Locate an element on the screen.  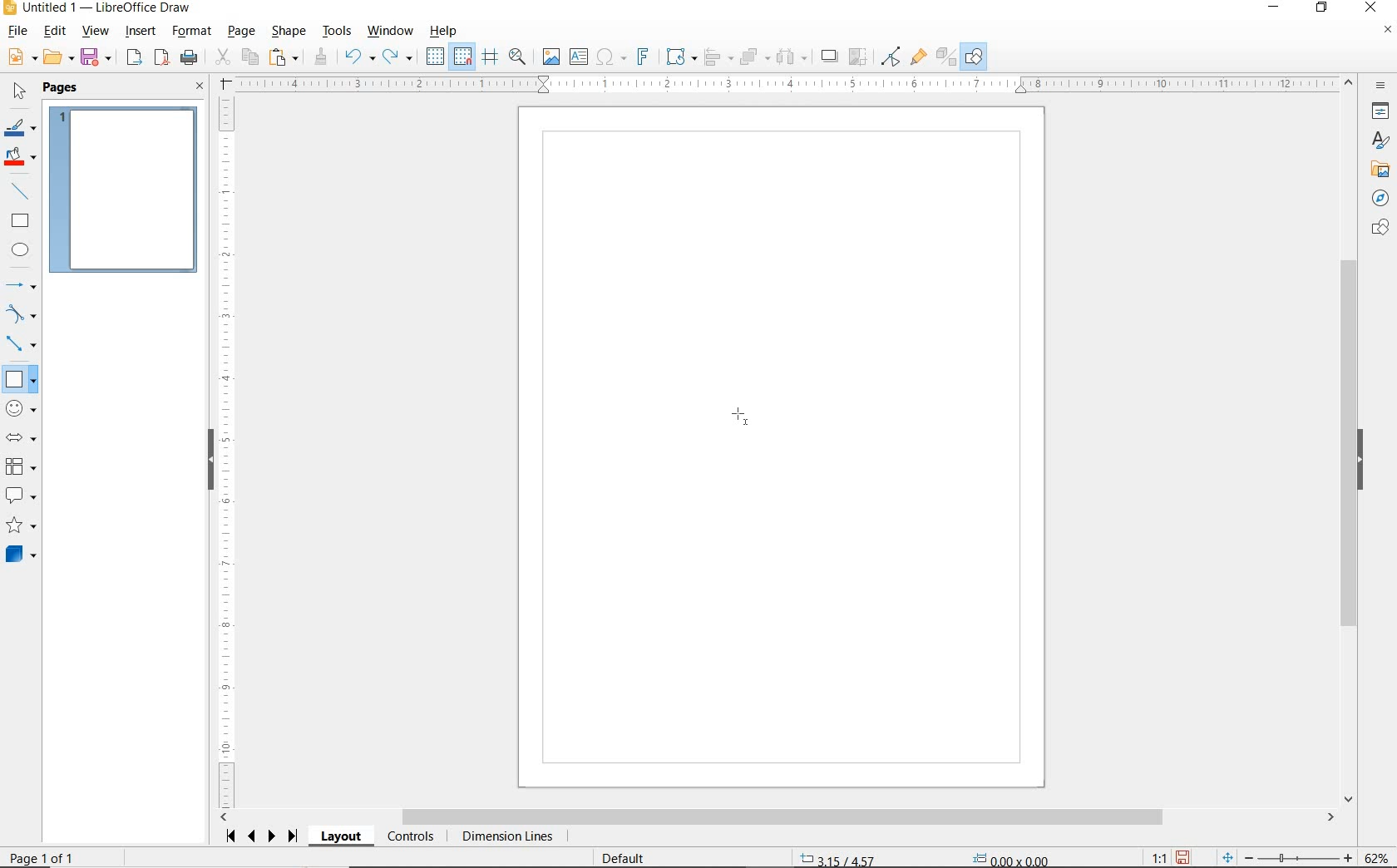
INSERT is located at coordinates (141, 32).